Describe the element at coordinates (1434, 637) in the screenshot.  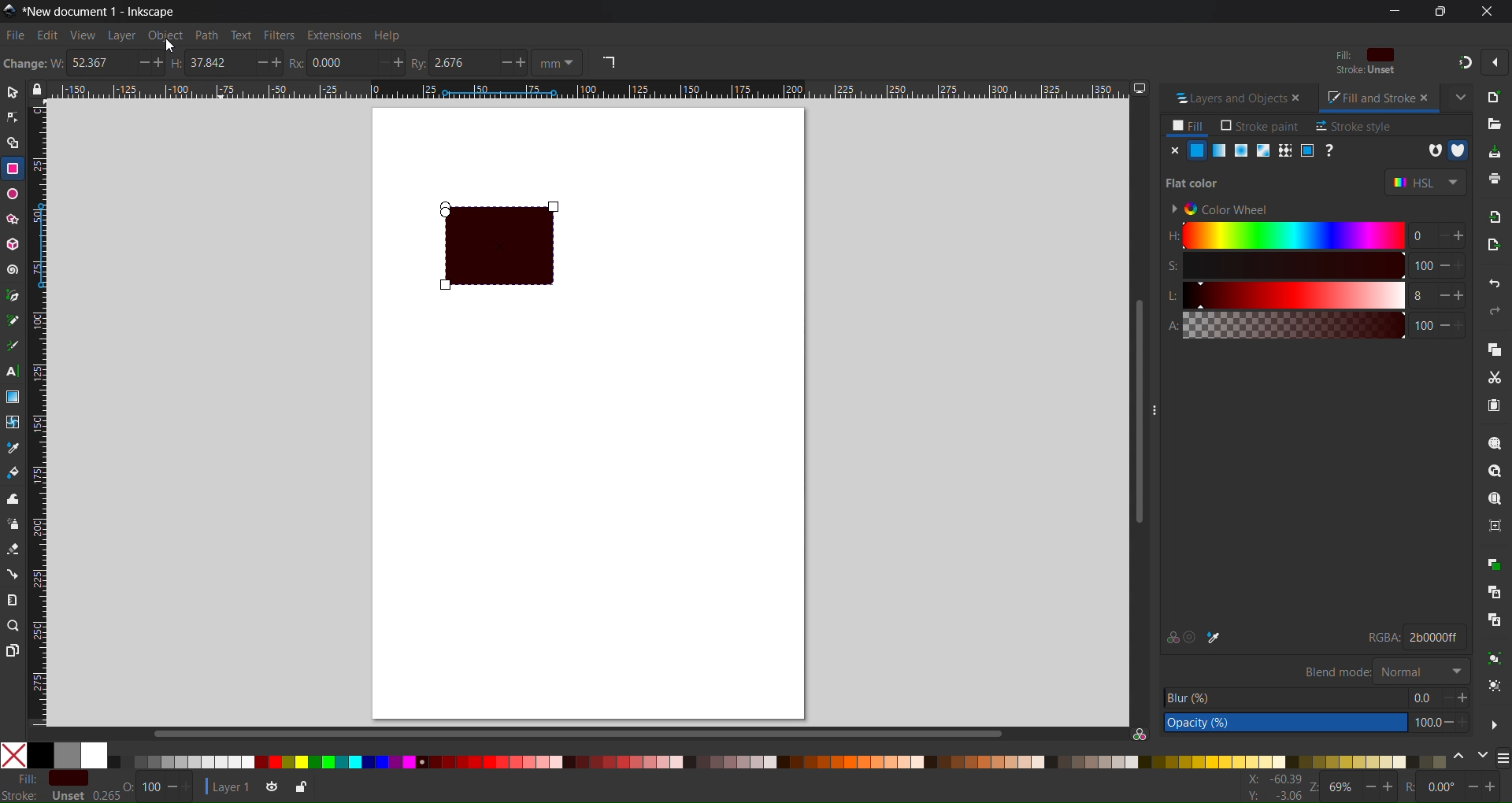
I see `2b0000ff` at that location.